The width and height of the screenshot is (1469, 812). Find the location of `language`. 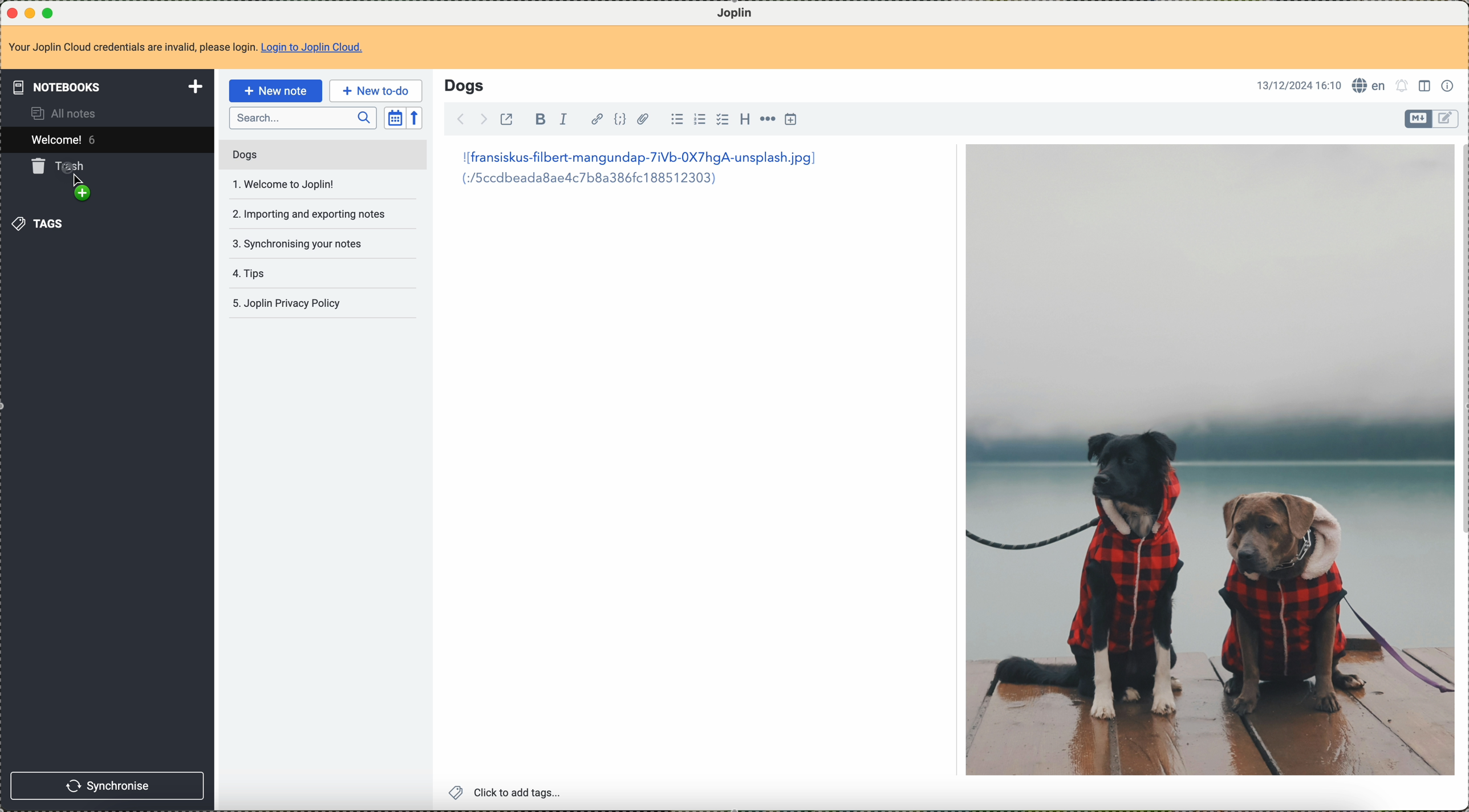

language is located at coordinates (1370, 86).